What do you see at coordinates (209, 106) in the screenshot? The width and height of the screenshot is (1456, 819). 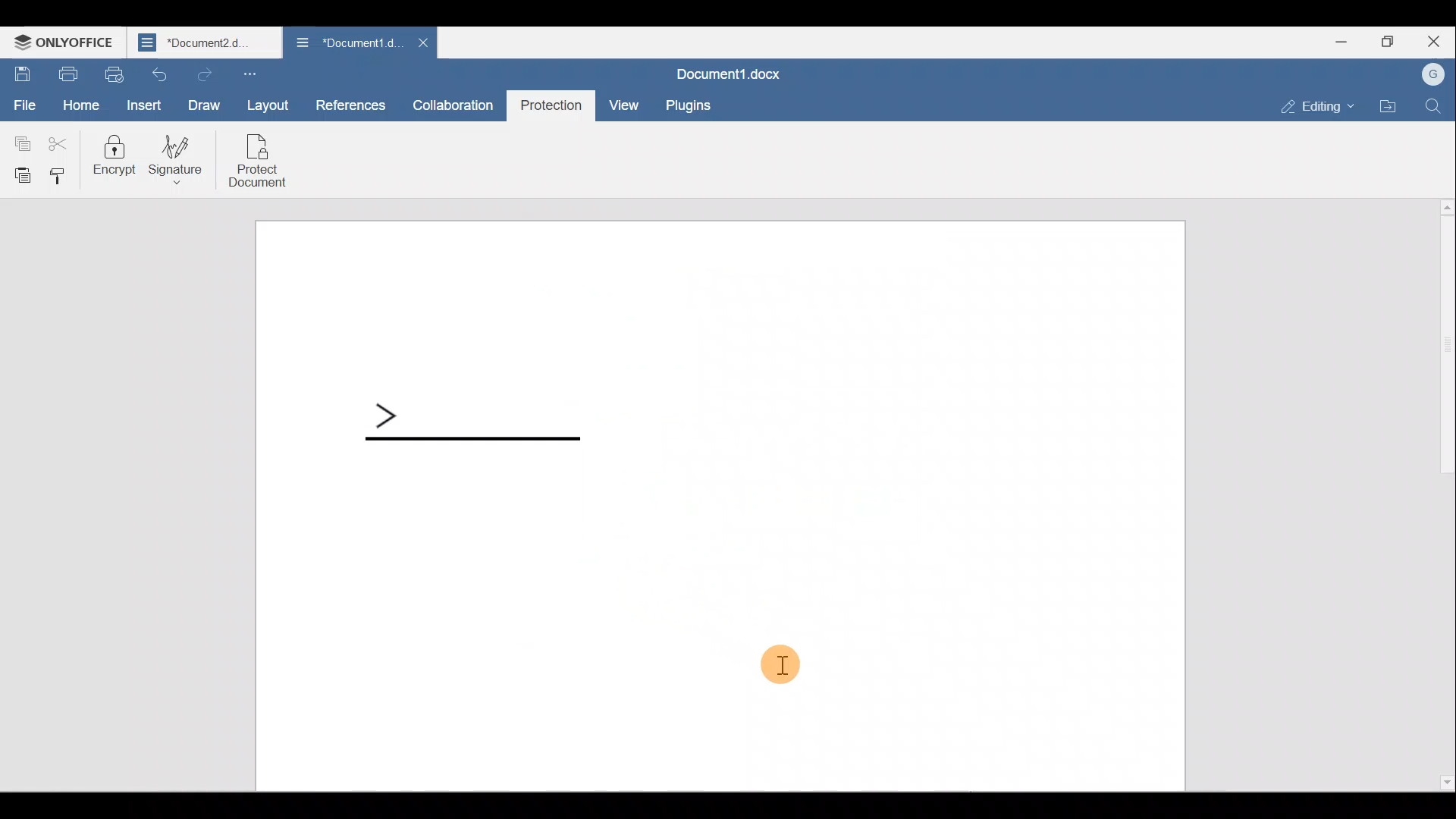 I see `Draw` at bounding box center [209, 106].